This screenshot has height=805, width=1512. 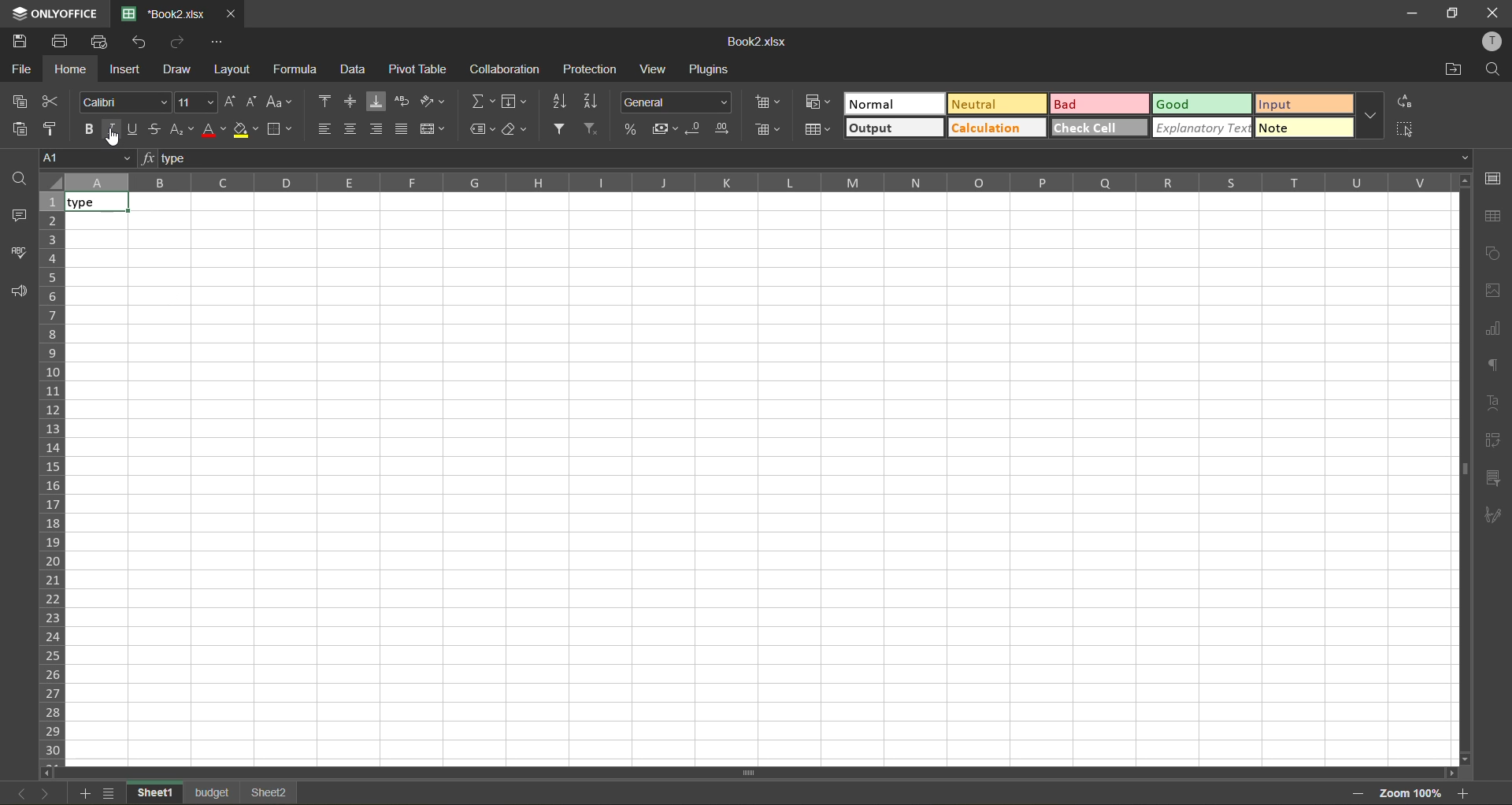 I want to click on justified, so click(x=402, y=127).